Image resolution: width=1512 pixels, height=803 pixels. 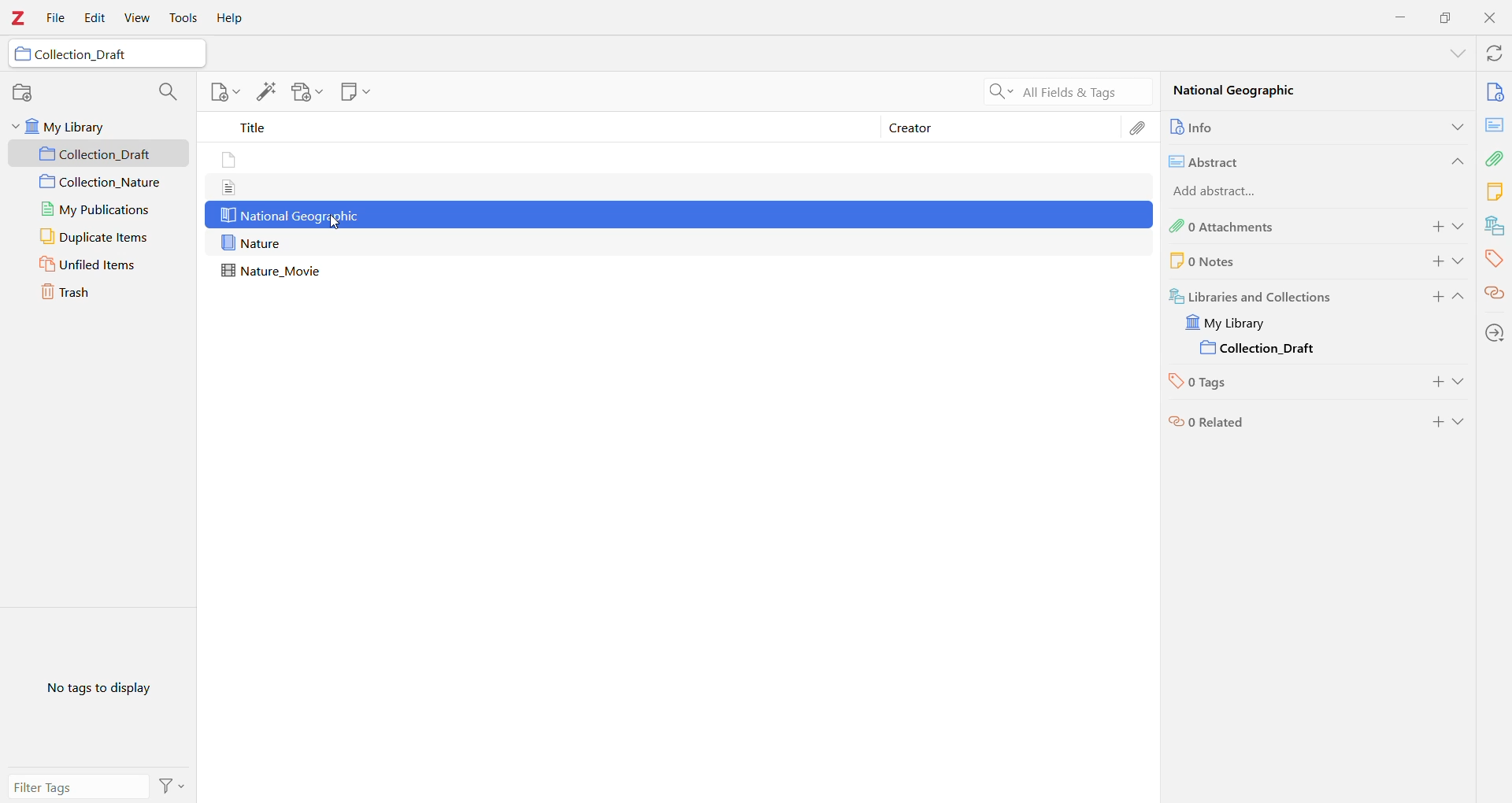 What do you see at coordinates (1495, 91) in the screenshot?
I see `Info` at bounding box center [1495, 91].